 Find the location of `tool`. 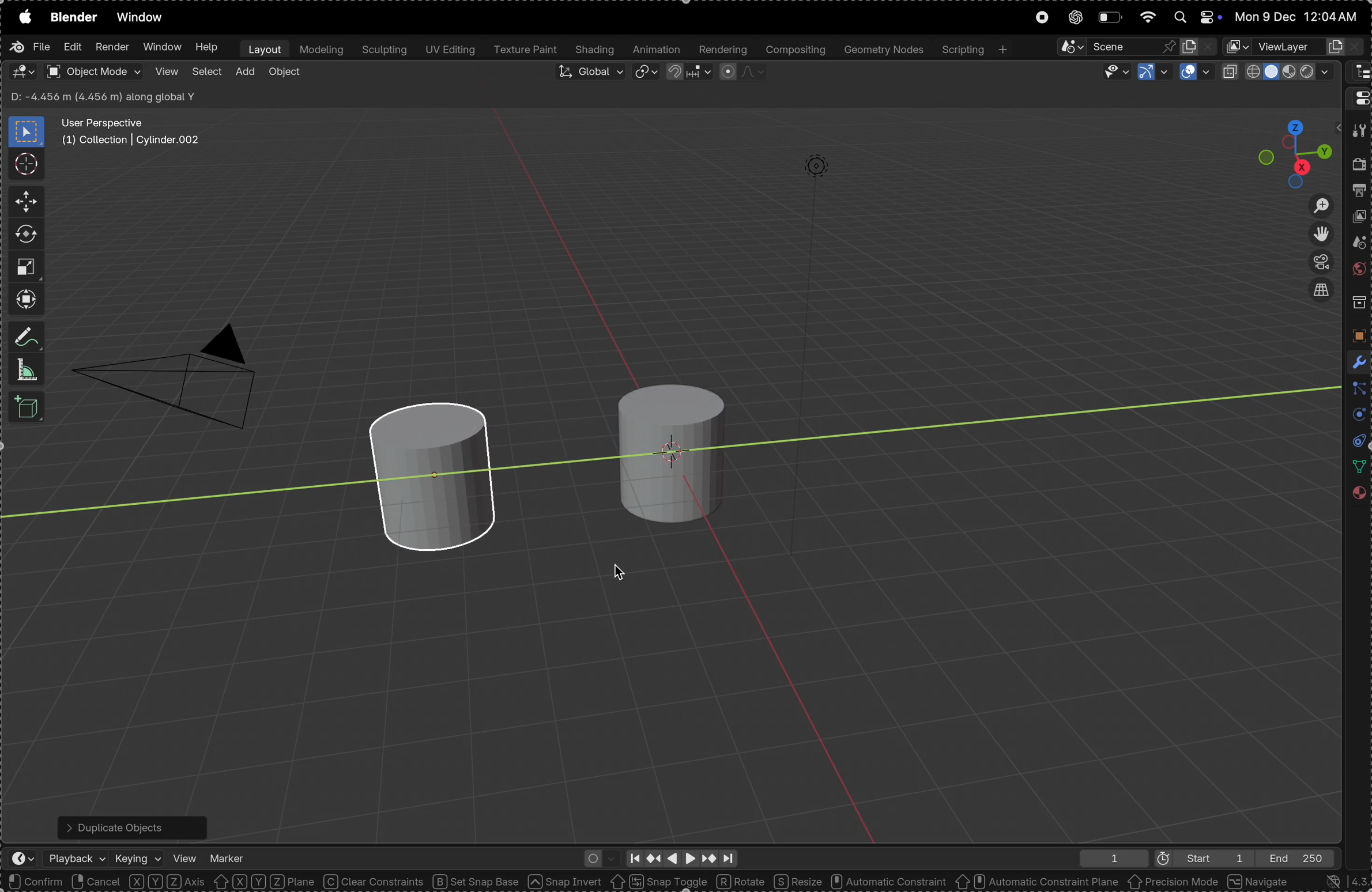

tool is located at coordinates (1358, 131).